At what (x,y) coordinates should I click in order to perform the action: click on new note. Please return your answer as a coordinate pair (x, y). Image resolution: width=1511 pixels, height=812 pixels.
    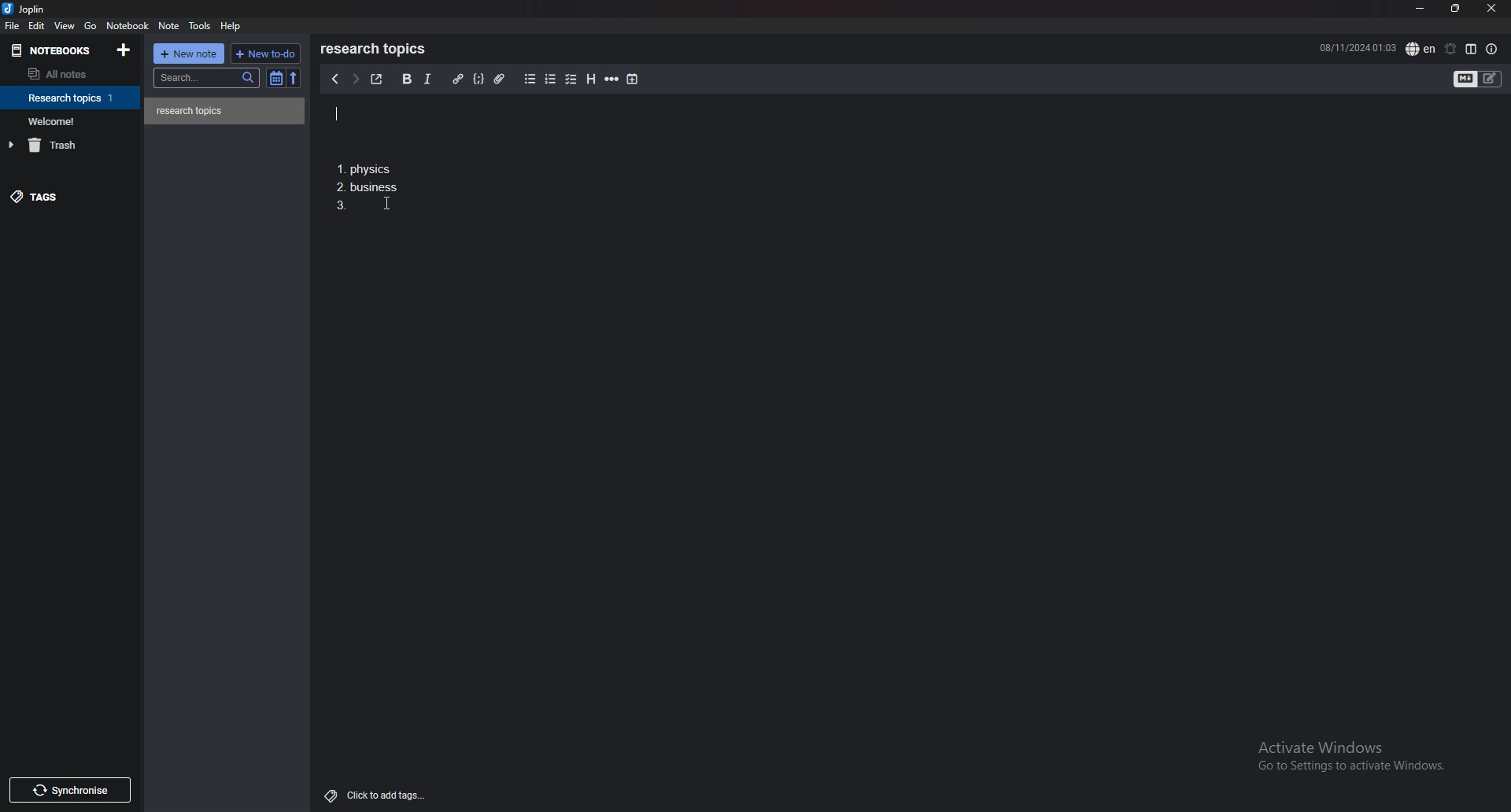
    Looking at the image, I should click on (190, 53).